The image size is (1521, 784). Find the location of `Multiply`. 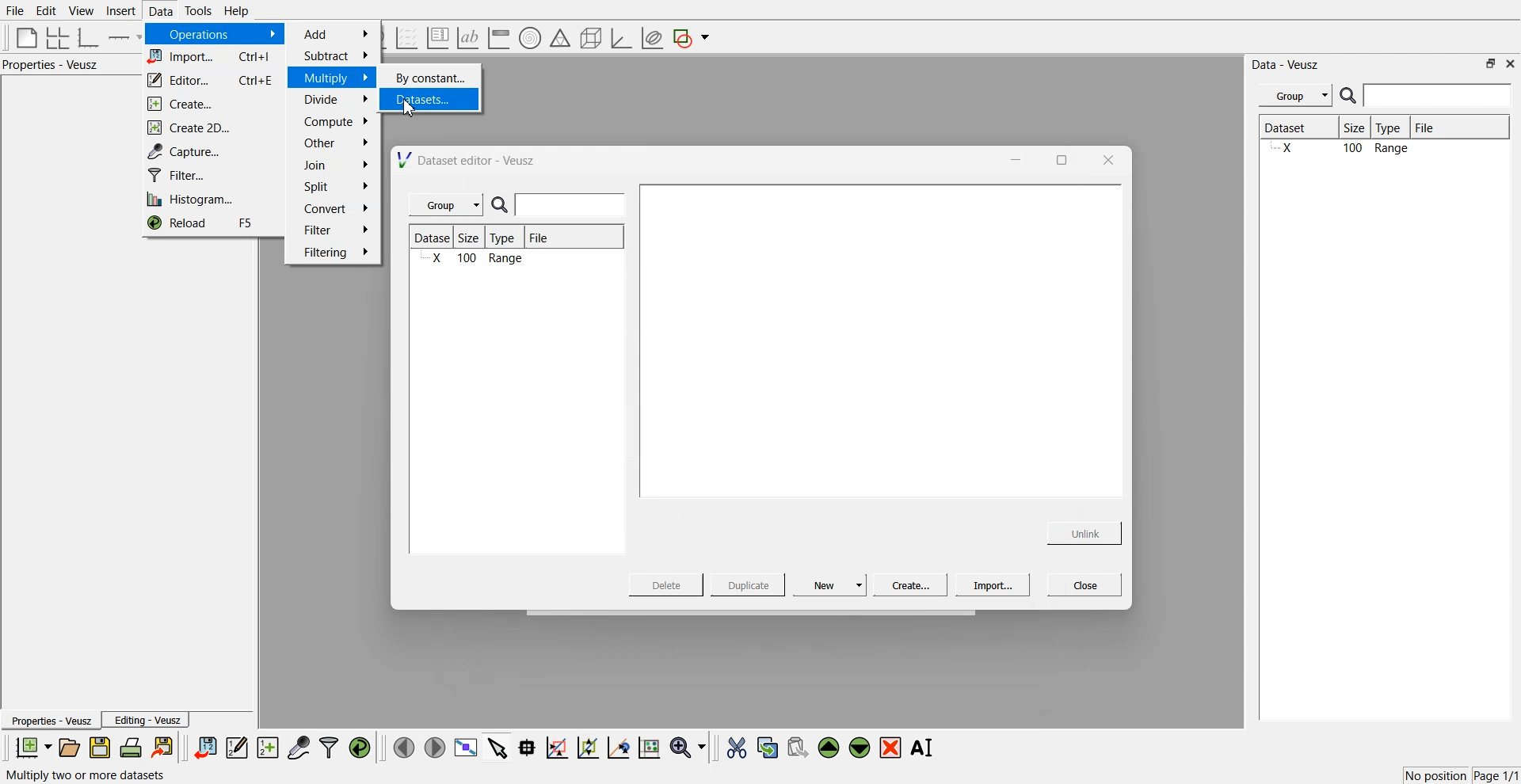

Multiply is located at coordinates (335, 77).